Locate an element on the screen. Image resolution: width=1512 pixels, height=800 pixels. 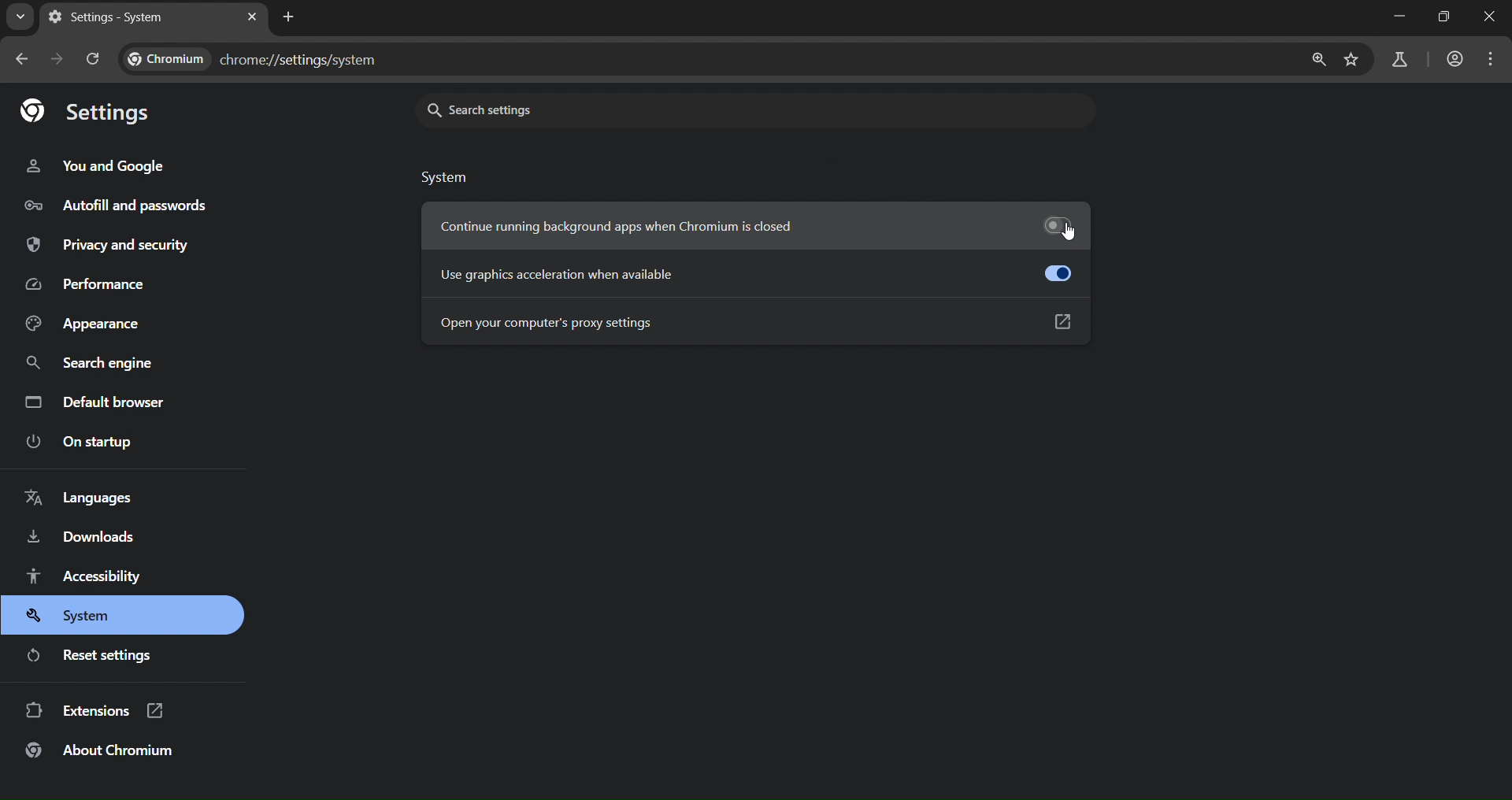
you and google is located at coordinates (102, 167).